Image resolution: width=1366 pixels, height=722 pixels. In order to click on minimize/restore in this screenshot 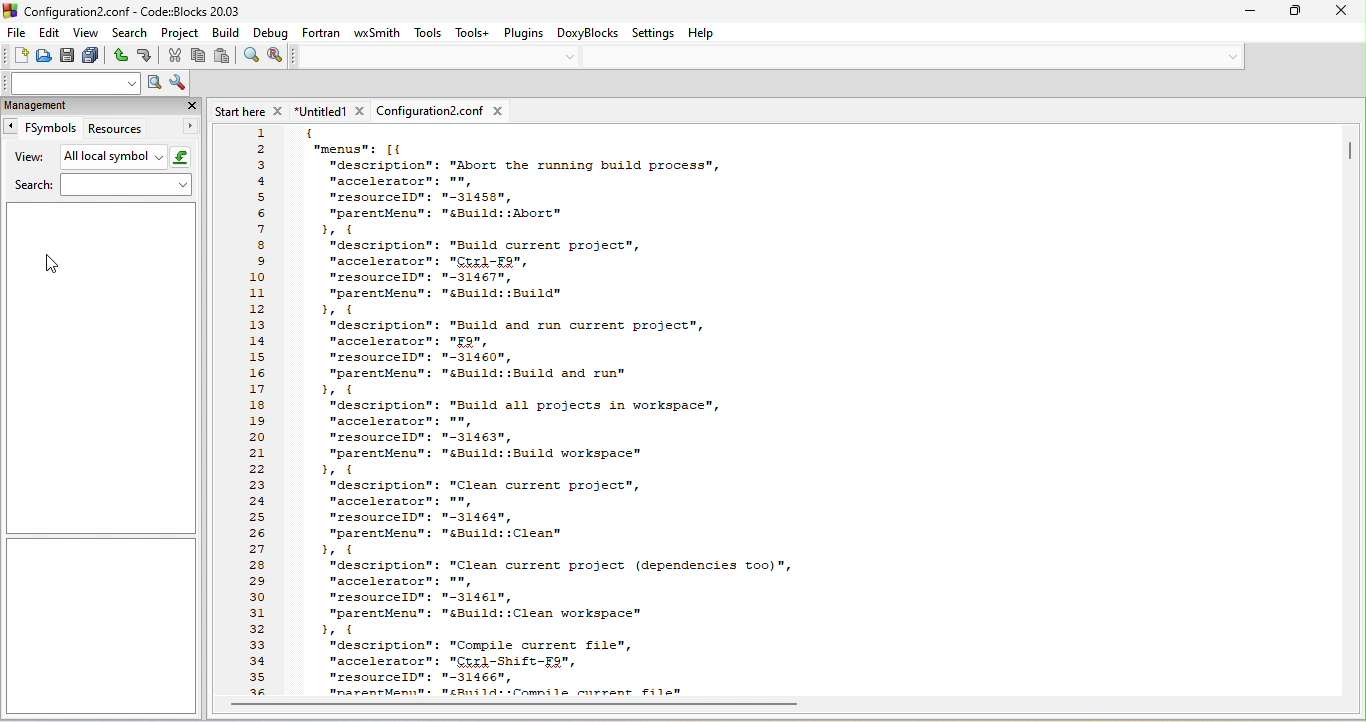, I will do `click(1294, 12)`.